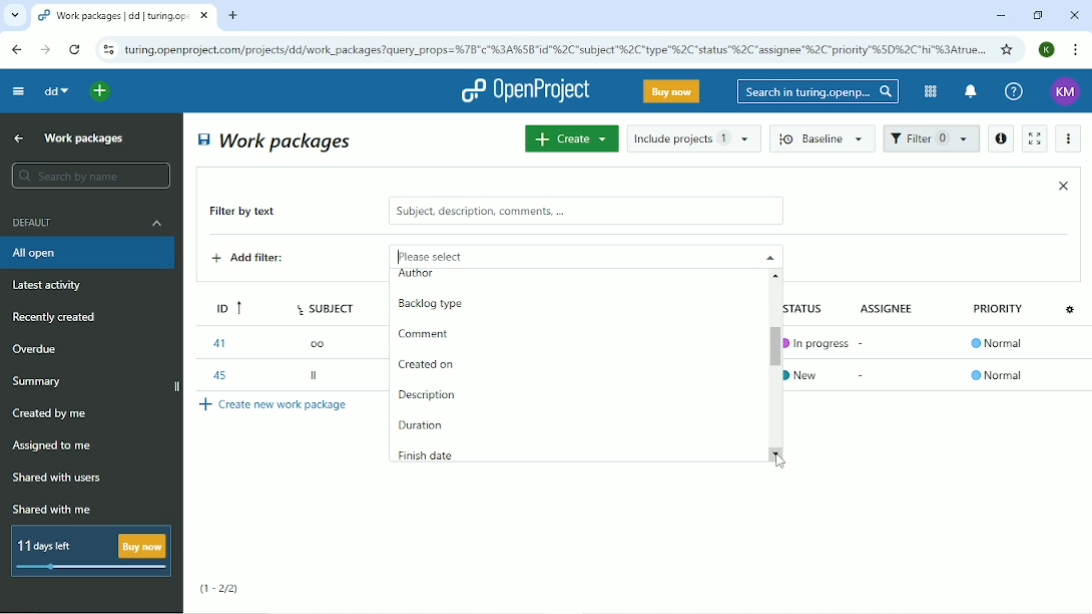 The height and width of the screenshot is (614, 1092). What do you see at coordinates (1072, 308) in the screenshot?
I see `Configure view` at bounding box center [1072, 308].